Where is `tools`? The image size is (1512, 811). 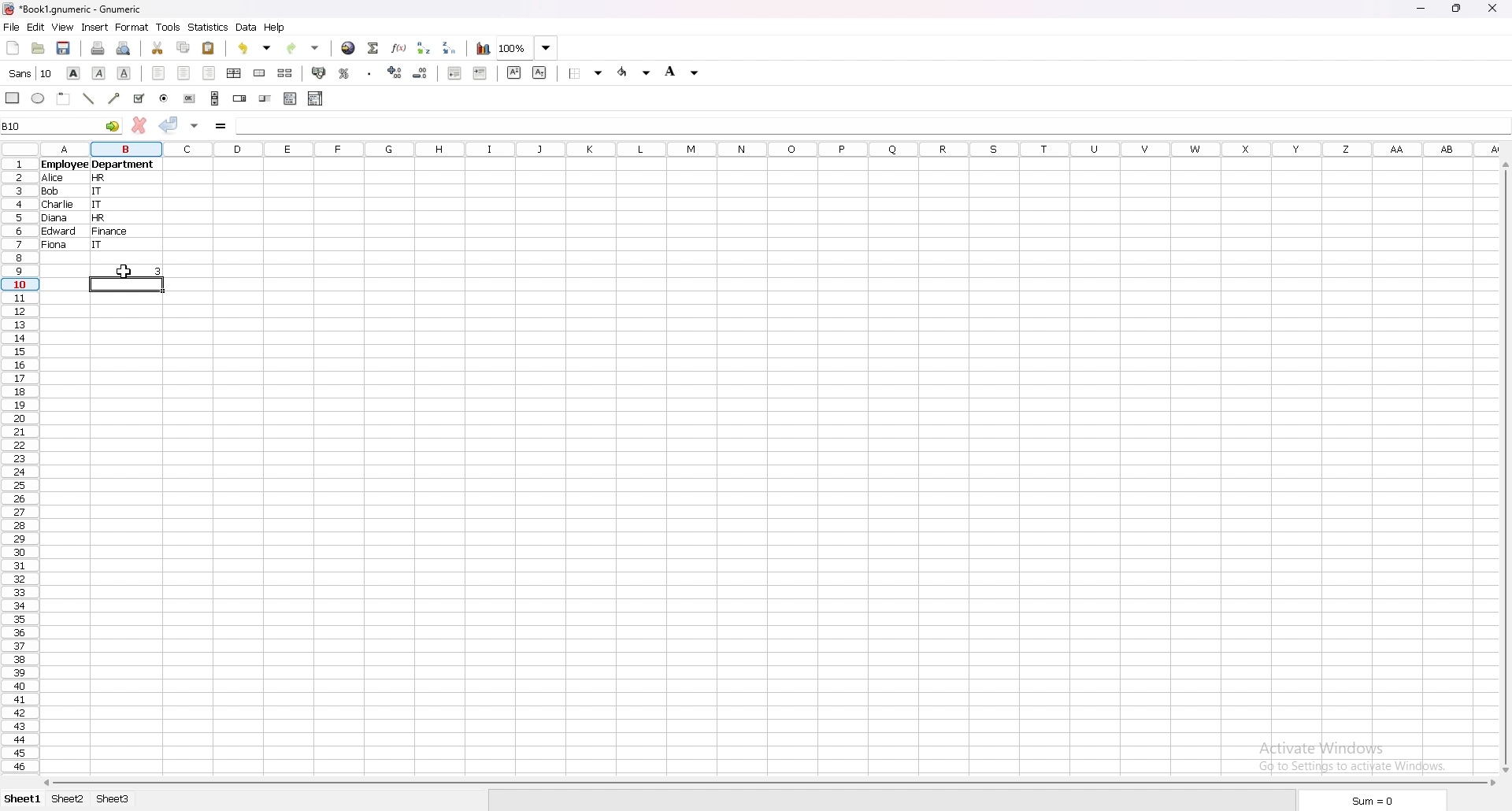 tools is located at coordinates (169, 27).